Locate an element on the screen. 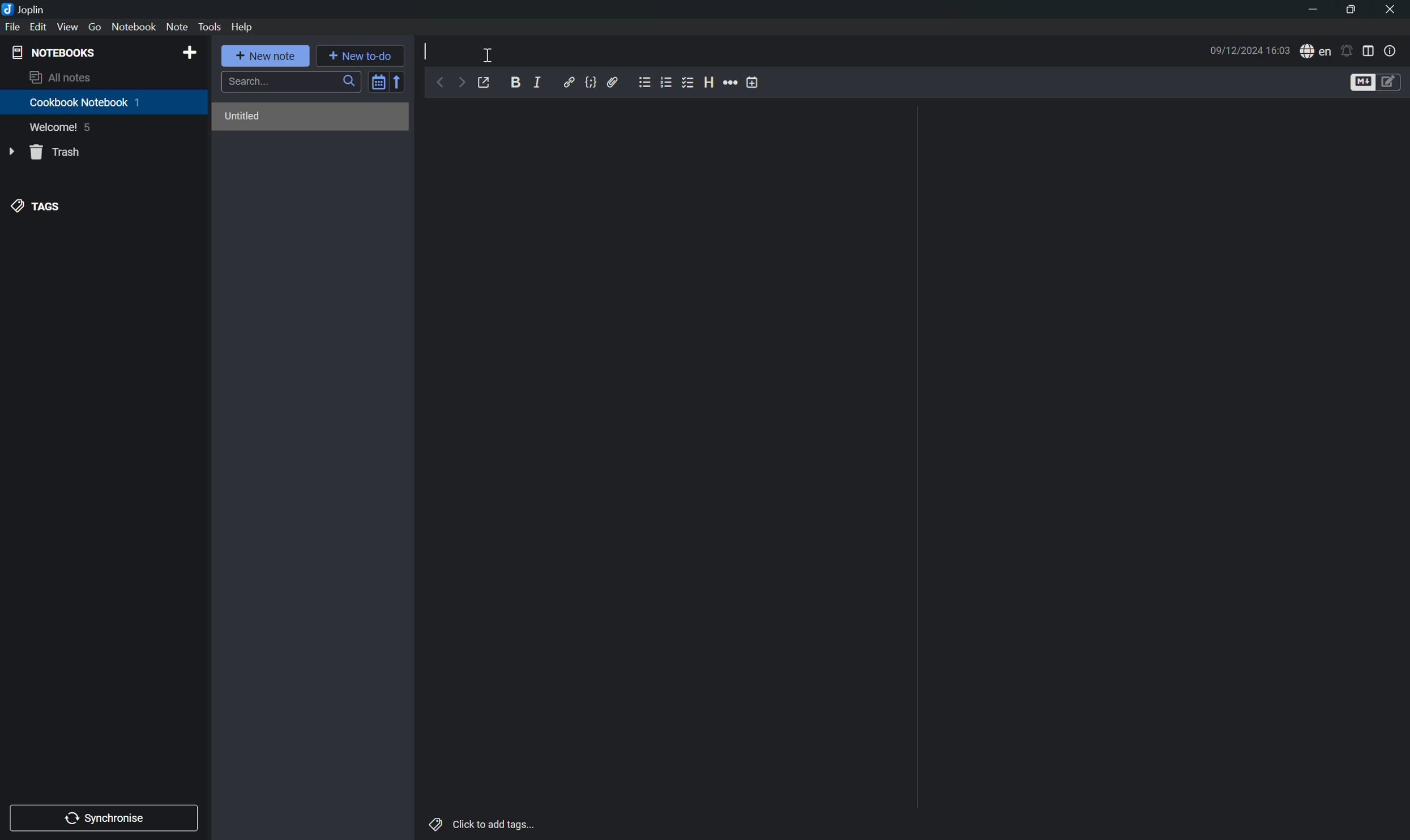 The height and width of the screenshot is (840, 1410). Toggle editors is located at coordinates (1377, 82).